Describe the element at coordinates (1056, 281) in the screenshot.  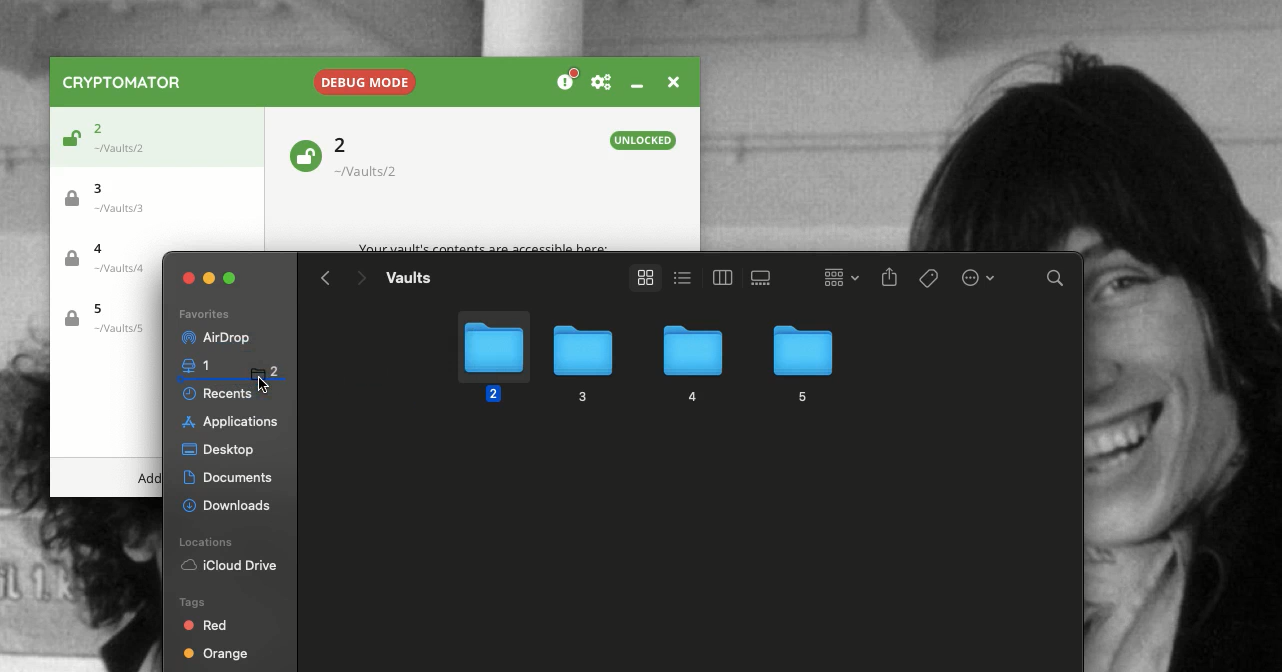
I see `Search` at that location.